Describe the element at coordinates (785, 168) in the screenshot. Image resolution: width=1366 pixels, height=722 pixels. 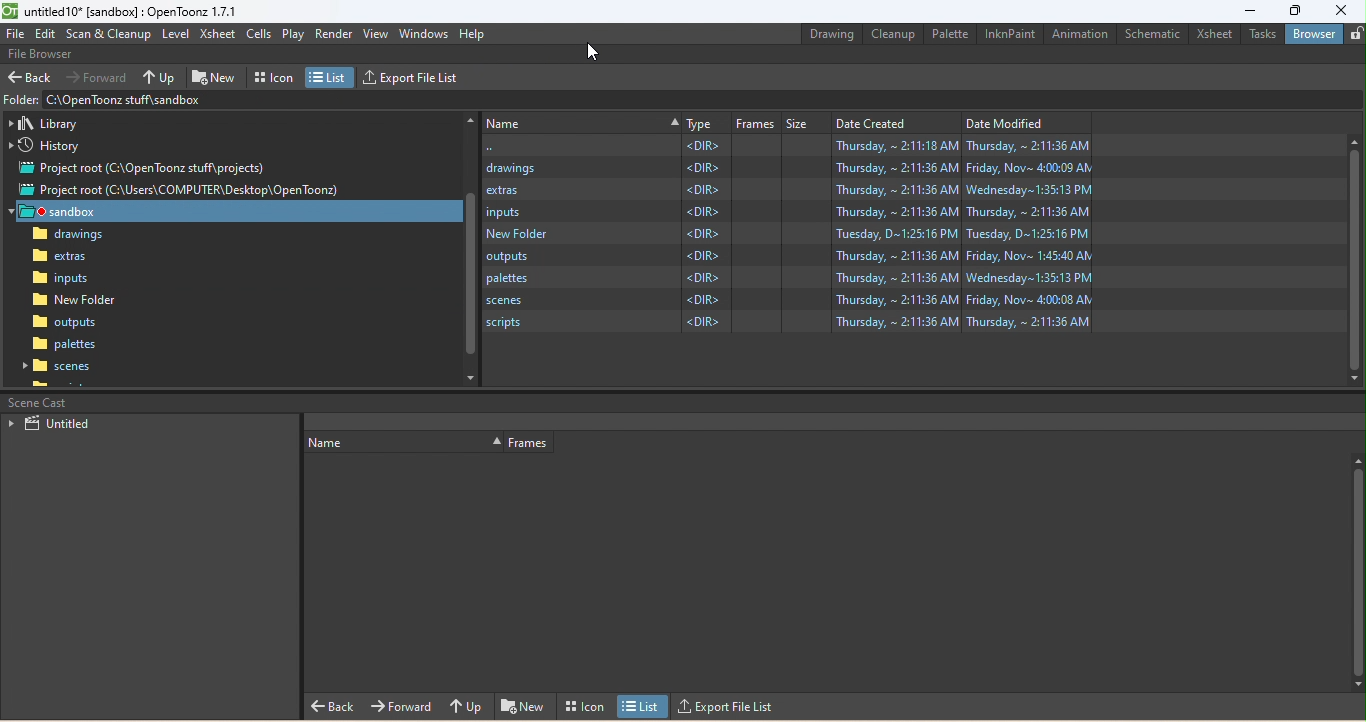
I see `drawings` at that location.